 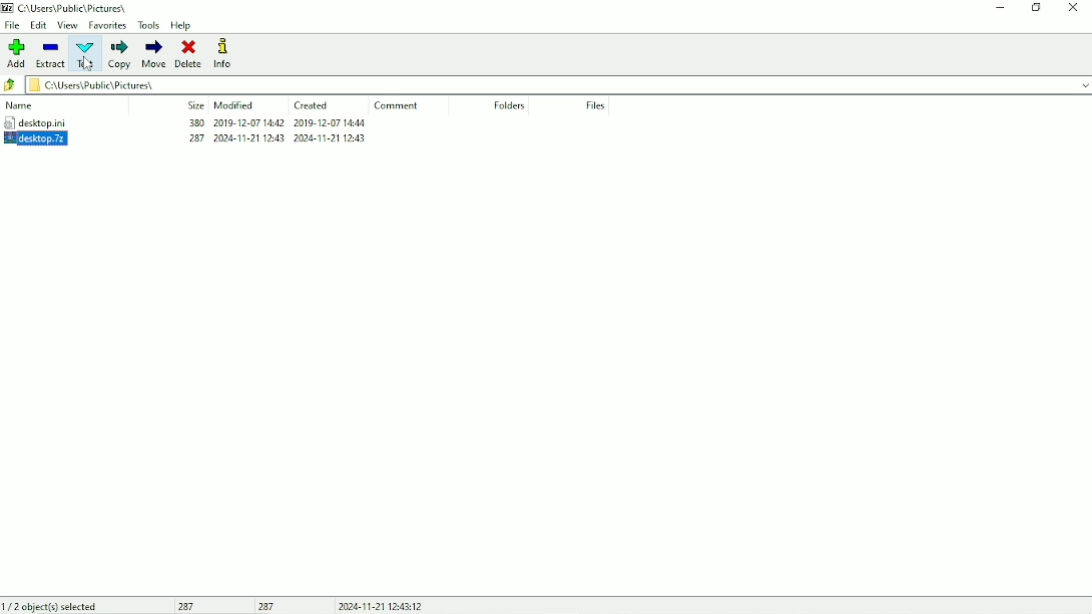 I want to click on Move, so click(x=154, y=53).